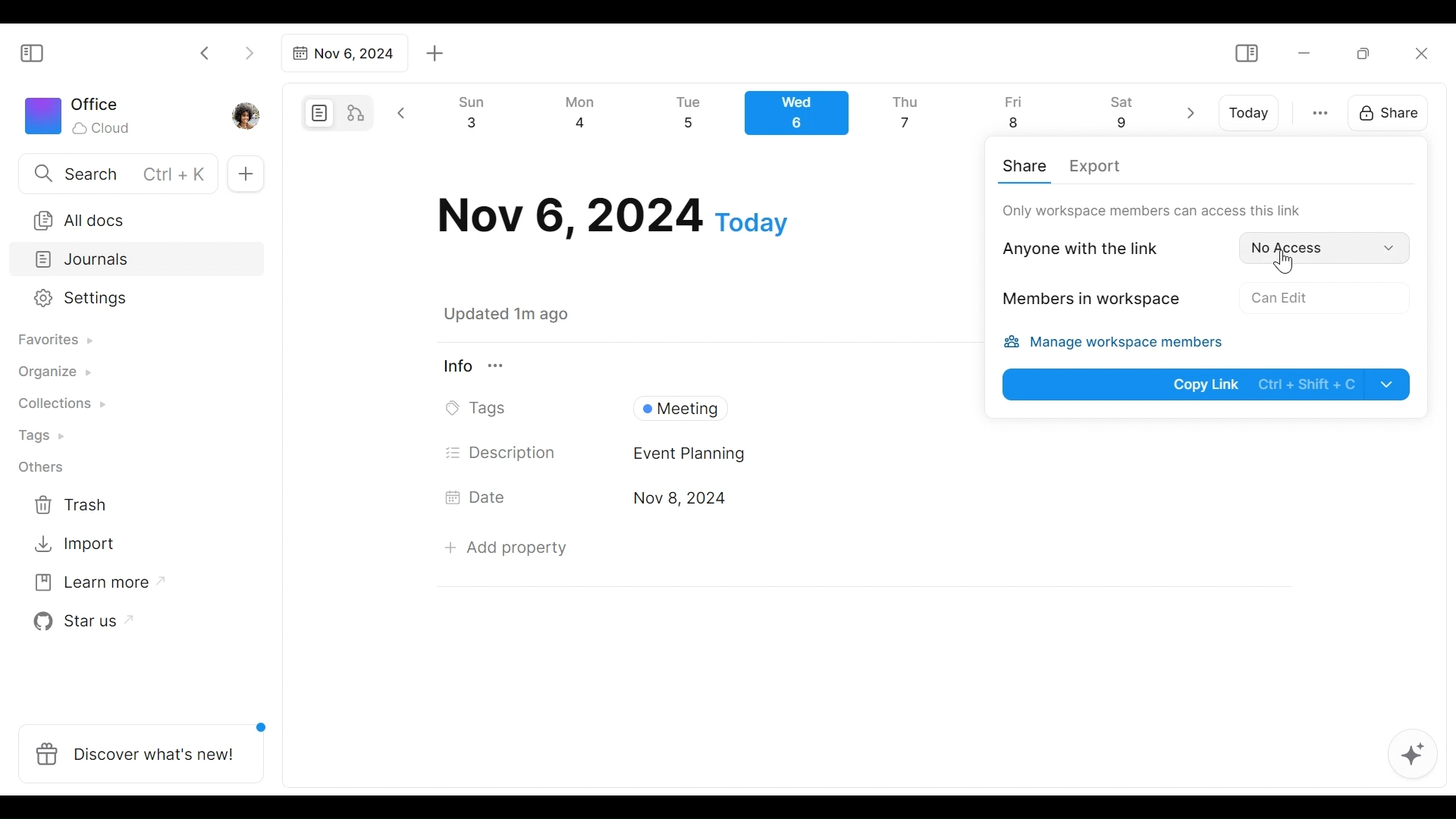 The height and width of the screenshot is (819, 1456). I want to click on Options, so click(1322, 246).